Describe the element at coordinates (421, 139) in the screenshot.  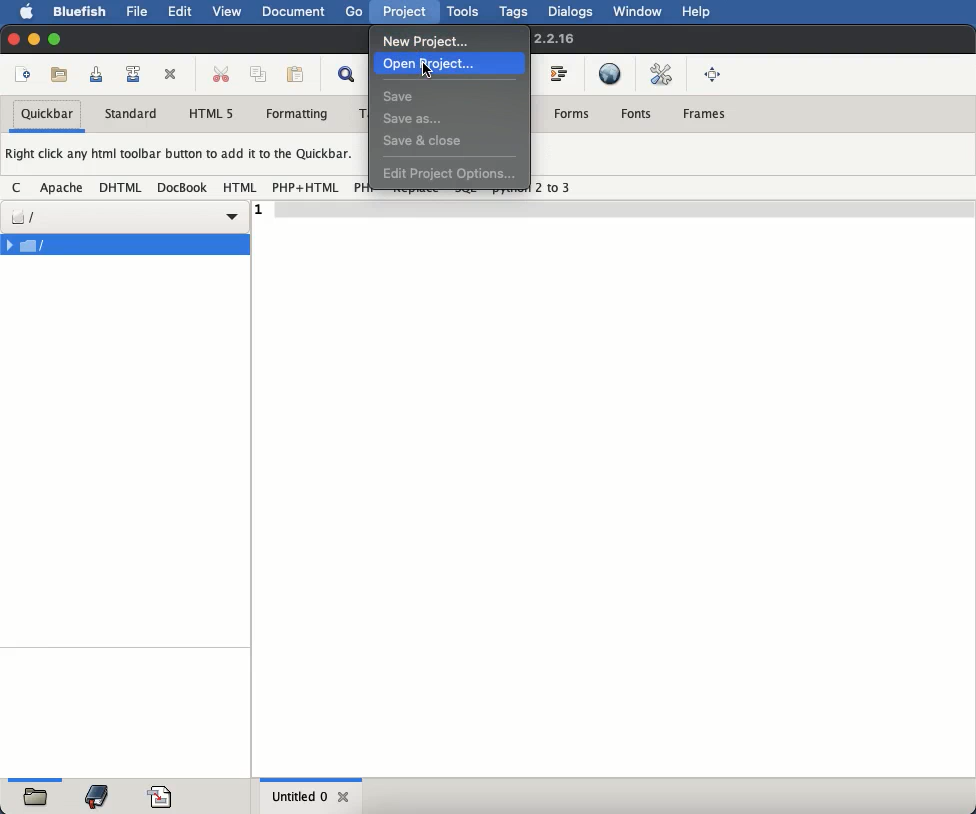
I see `save and close` at that location.